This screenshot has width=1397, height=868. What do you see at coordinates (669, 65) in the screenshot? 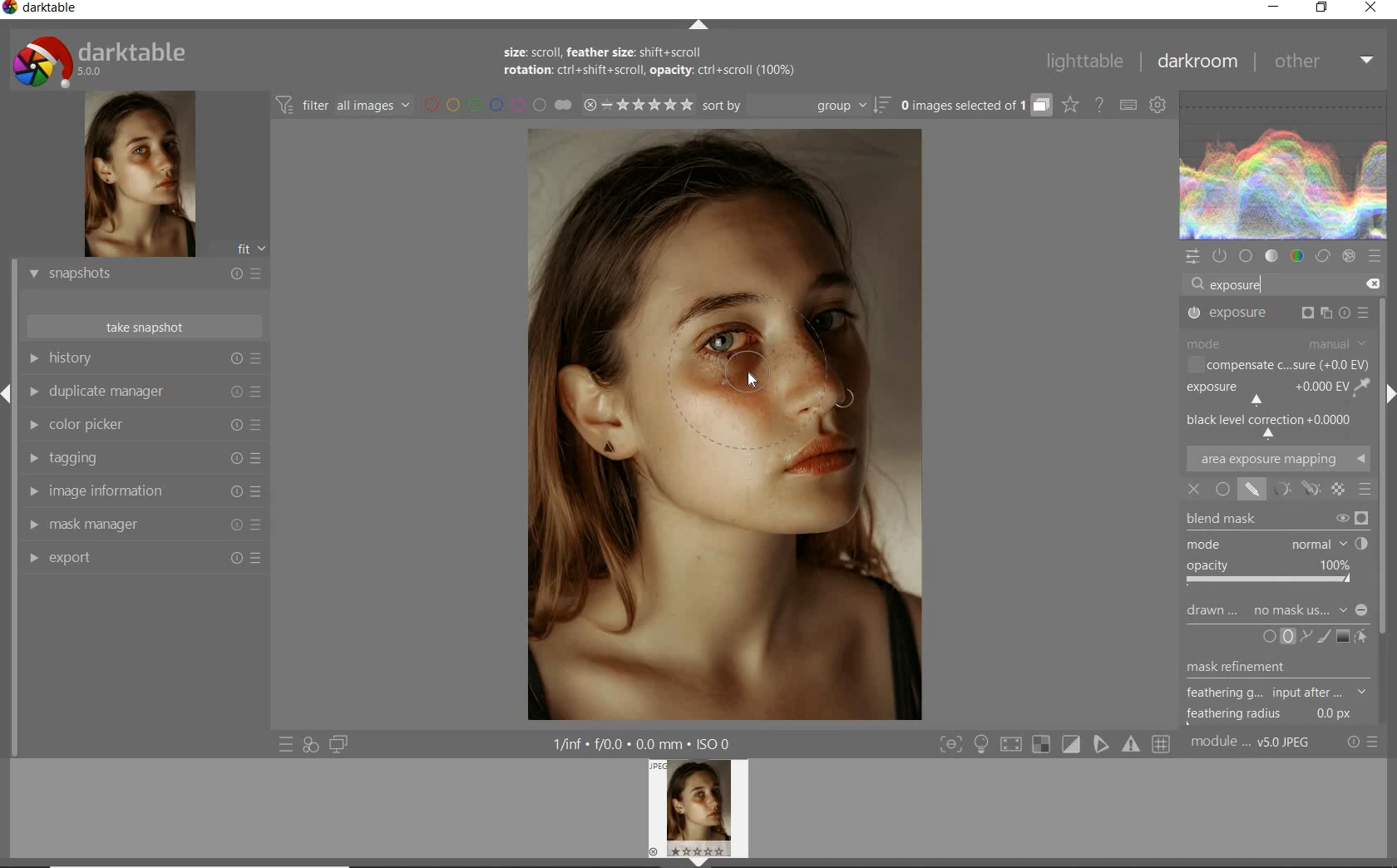
I see `size: scroll, feather size: shift+scroll
rotation: ctrl+shift+scroll, opacity: ctrl+scroll (100%)` at bounding box center [669, 65].